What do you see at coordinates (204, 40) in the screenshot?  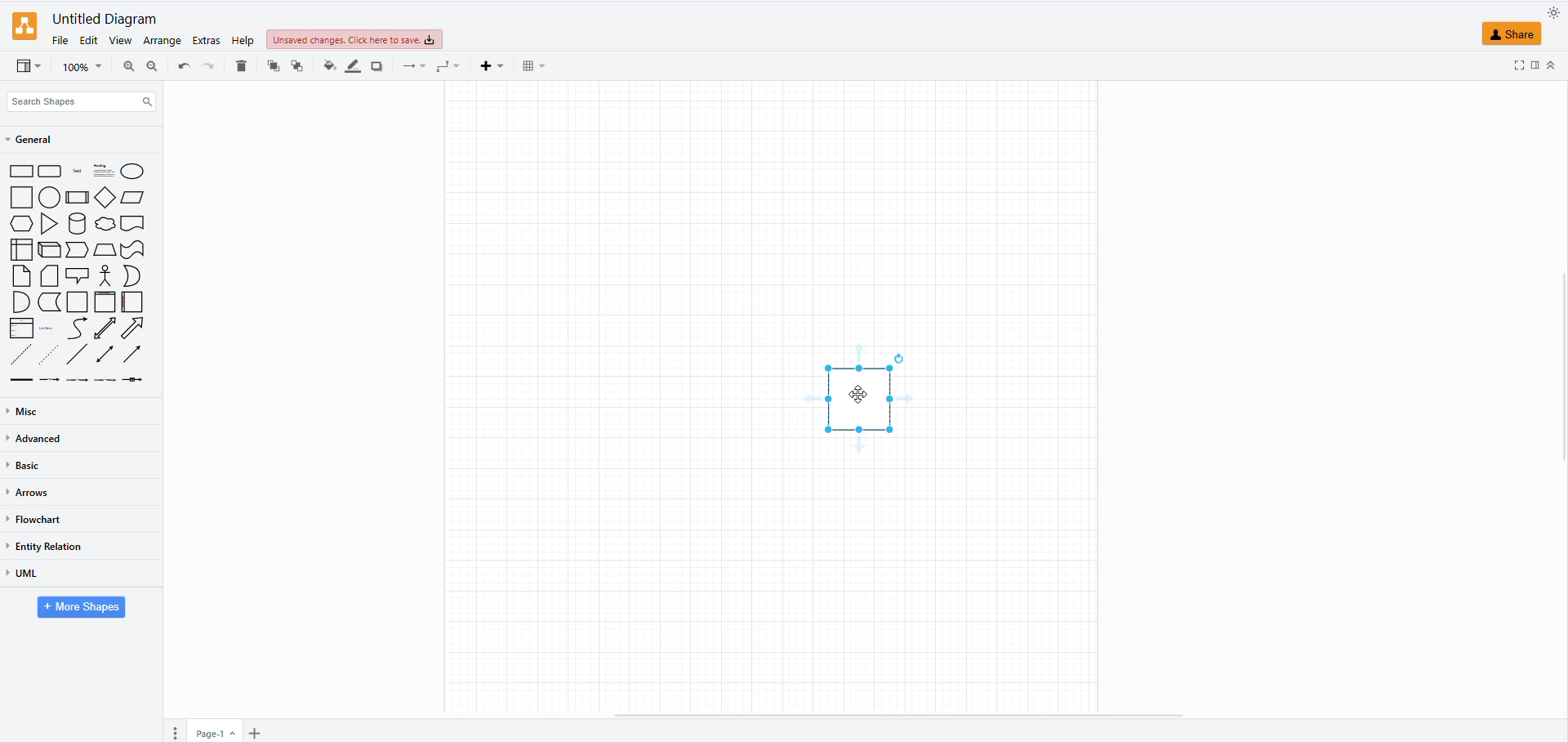 I see `extras` at bounding box center [204, 40].